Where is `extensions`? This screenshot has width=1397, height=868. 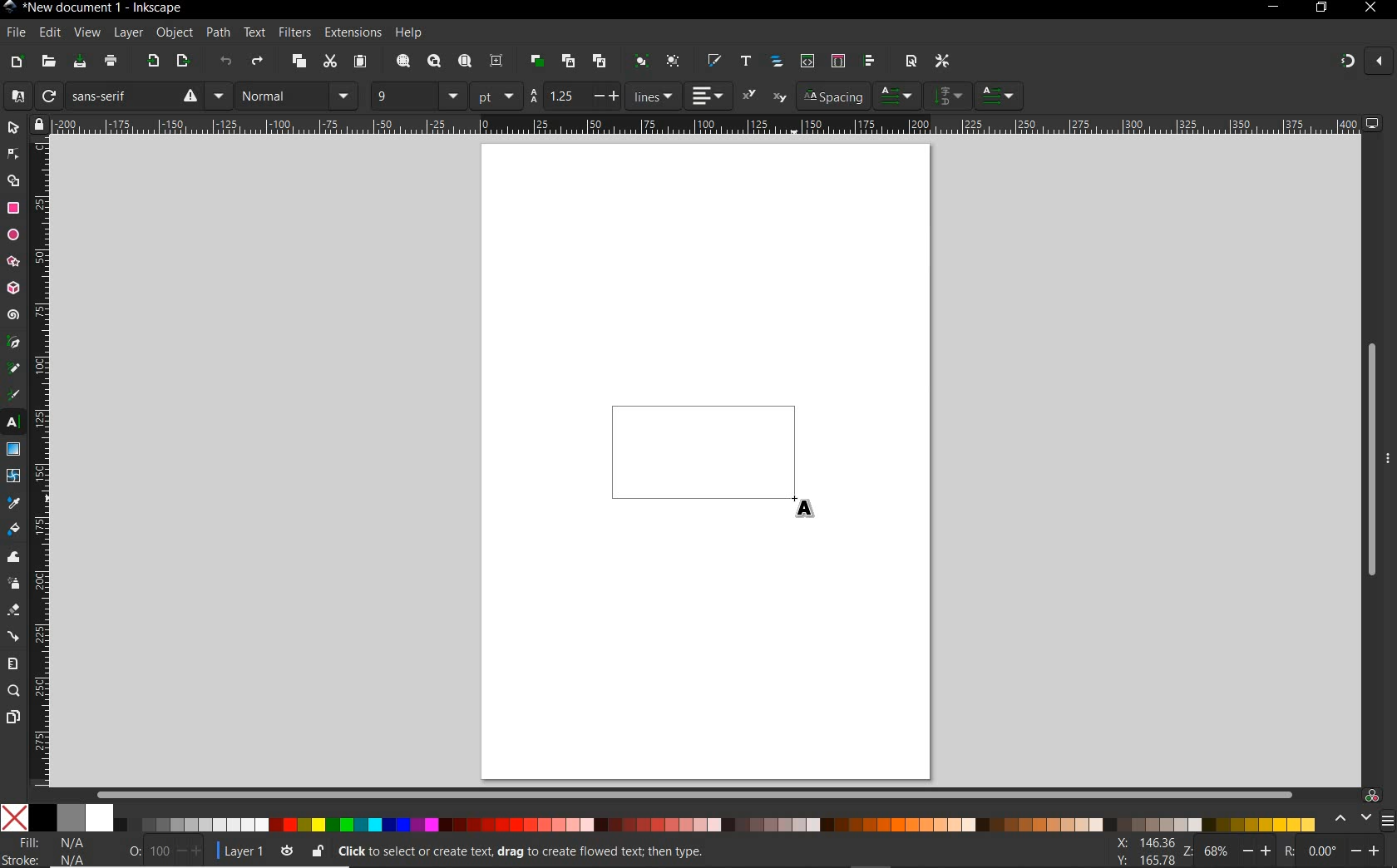 extensions is located at coordinates (352, 33).